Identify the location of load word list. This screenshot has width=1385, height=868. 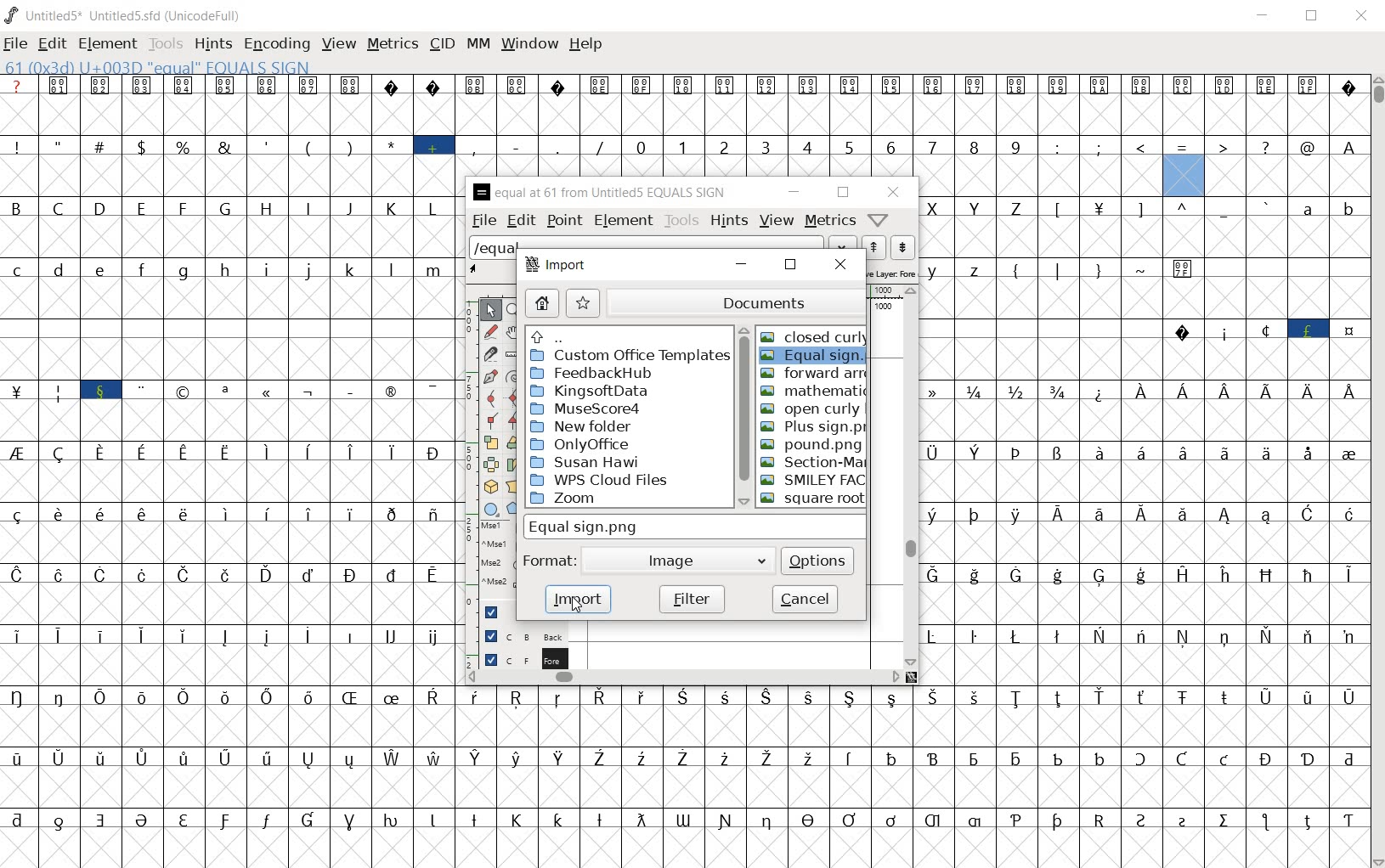
(662, 246).